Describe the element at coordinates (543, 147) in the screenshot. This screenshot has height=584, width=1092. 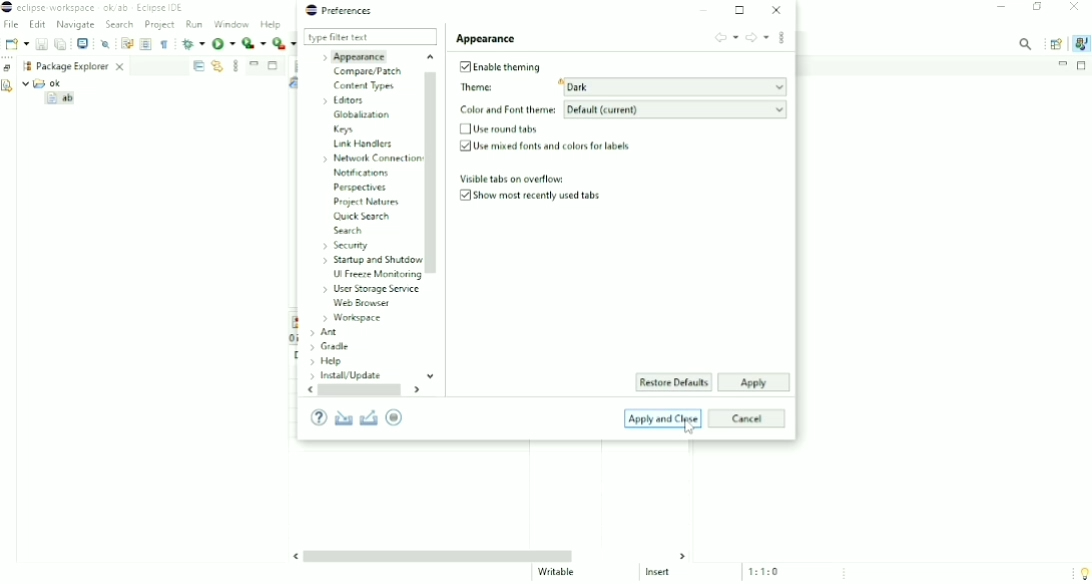
I see `Use mixed fonts and colors for labels` at that location.